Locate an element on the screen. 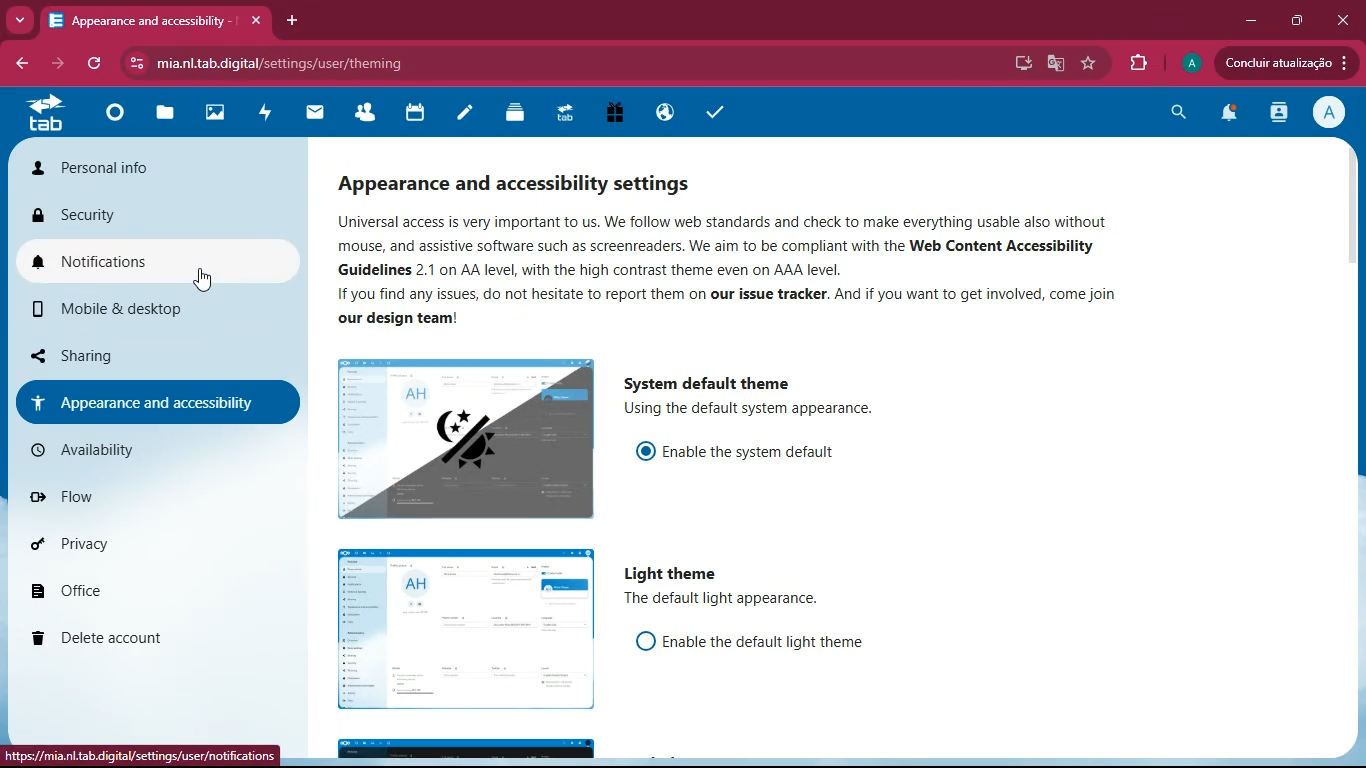  security is located at coordinates (148, 215).